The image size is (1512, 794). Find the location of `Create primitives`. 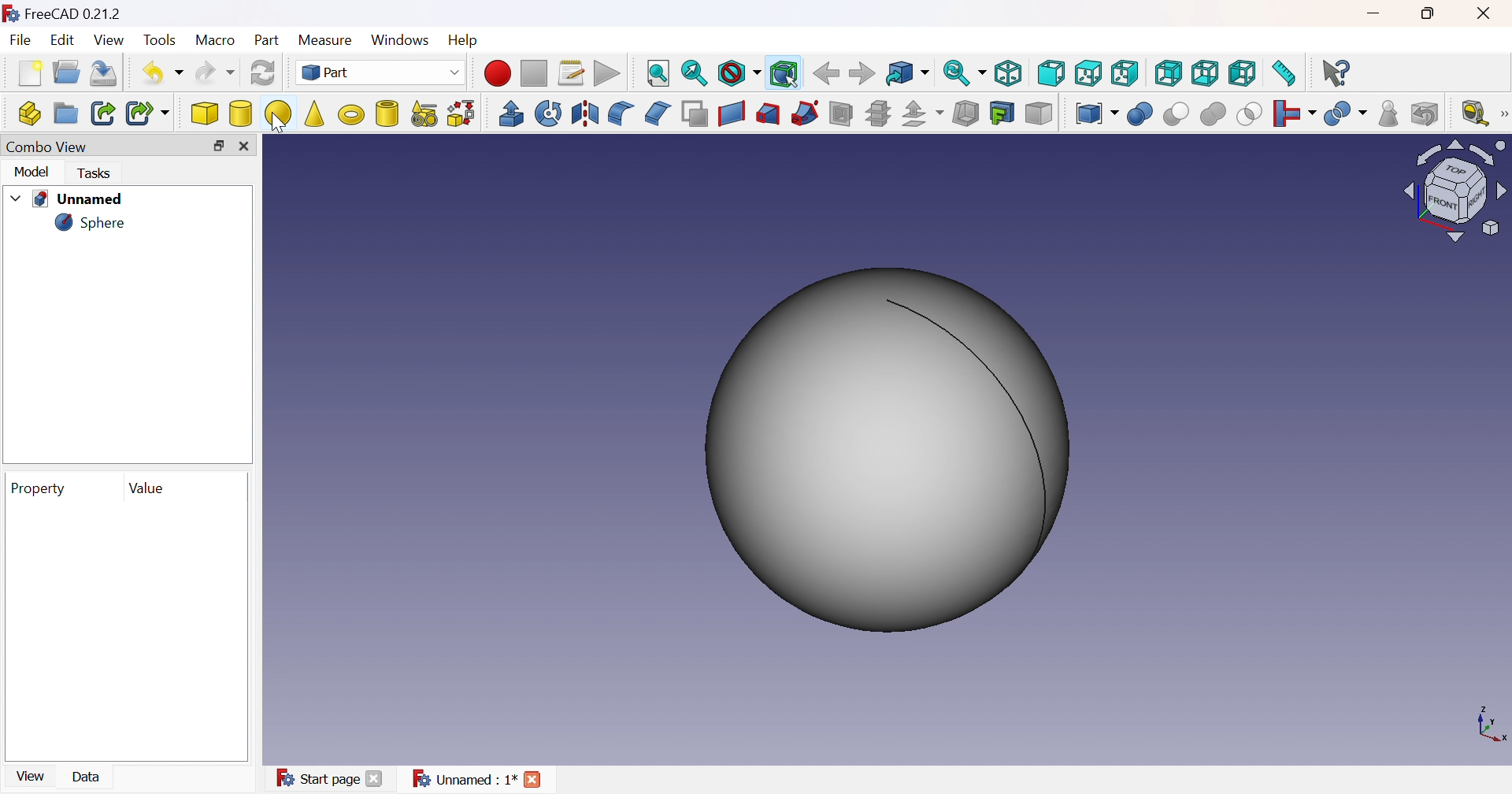

Create primitives is located at coordinates (424, 113).